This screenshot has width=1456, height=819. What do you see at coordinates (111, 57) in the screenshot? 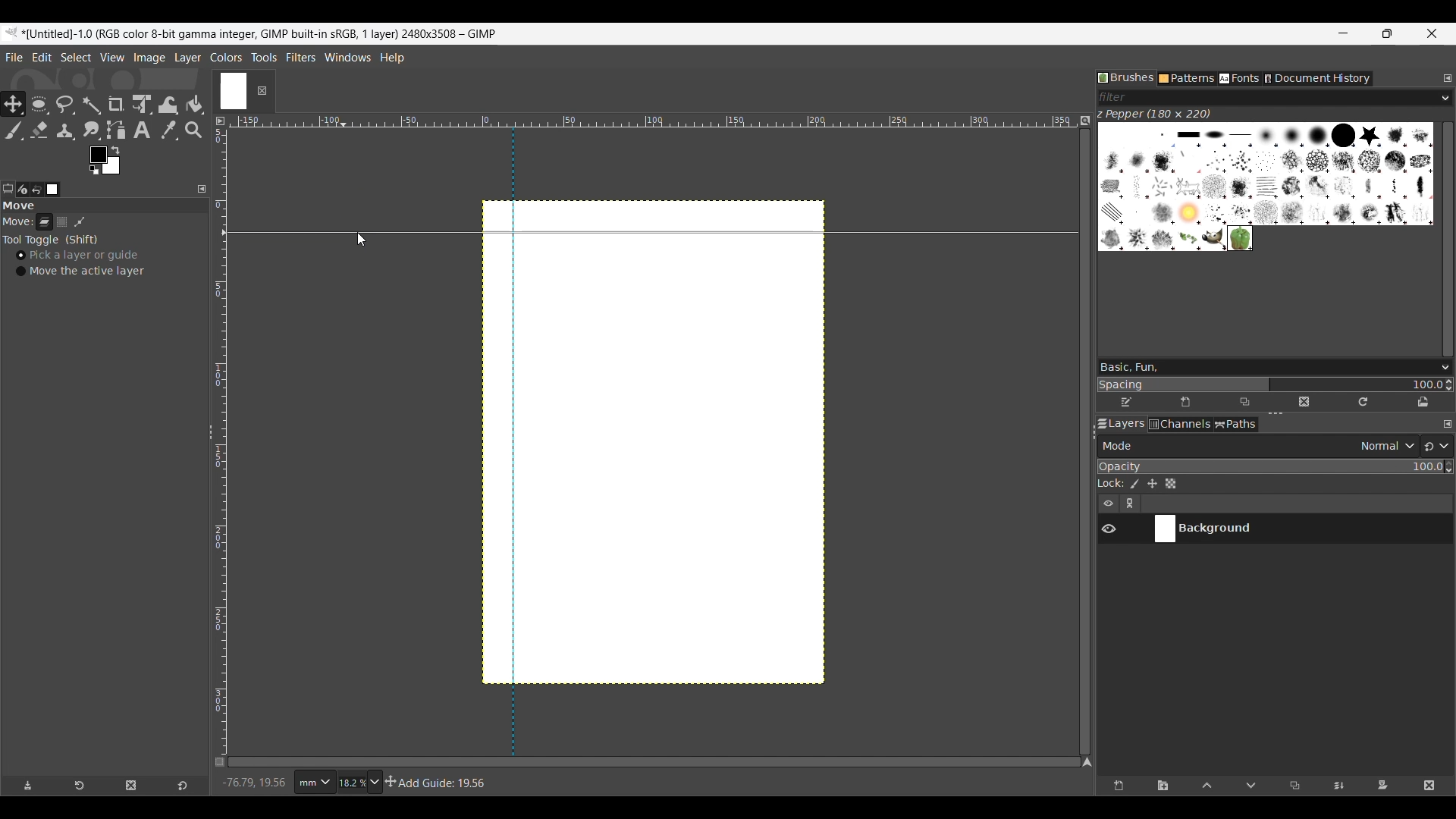
I see `View menu` at bounding box center [111, 57].